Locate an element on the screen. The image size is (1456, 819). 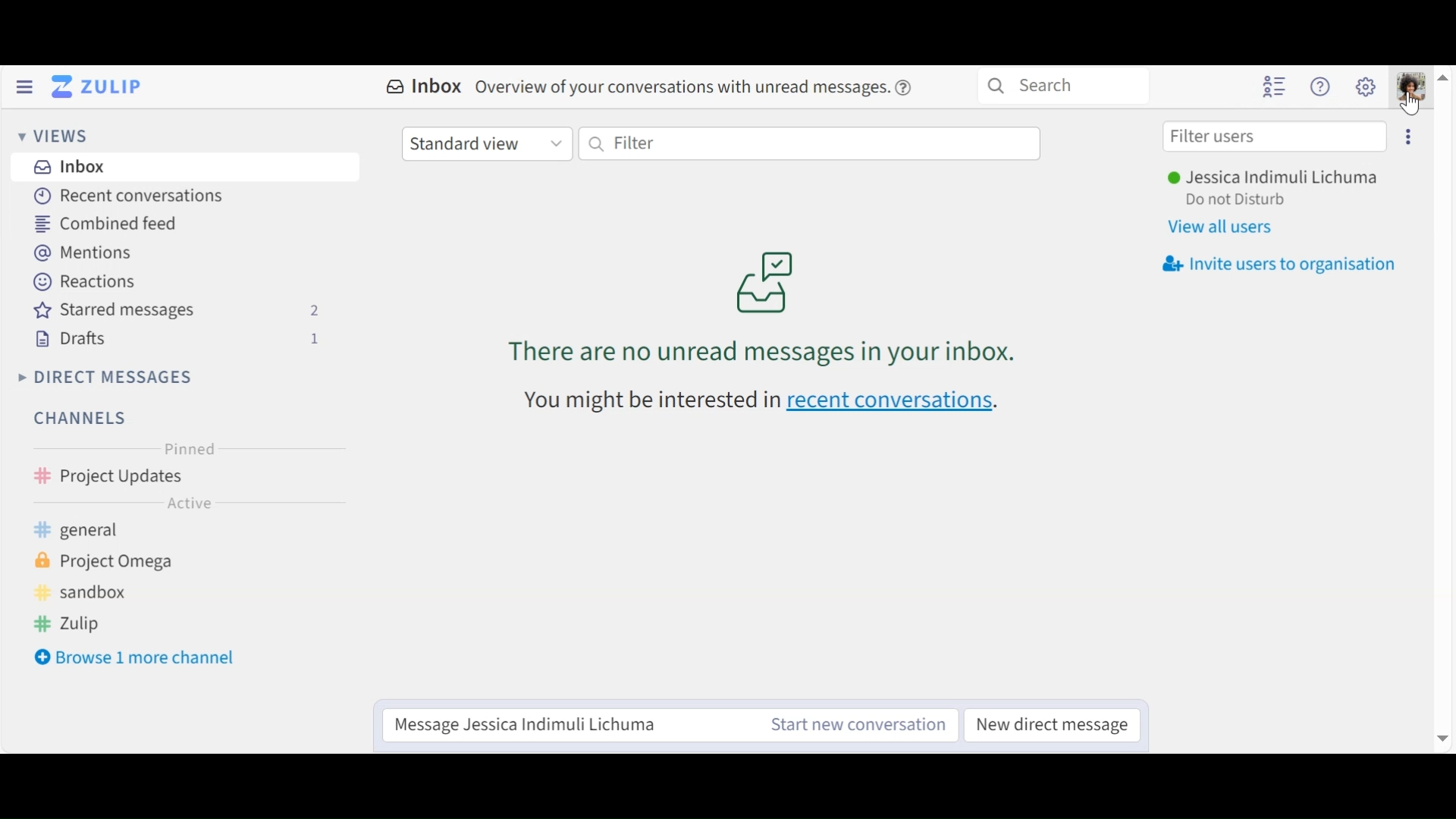
Filter by text is located at coordinates (811, 144).